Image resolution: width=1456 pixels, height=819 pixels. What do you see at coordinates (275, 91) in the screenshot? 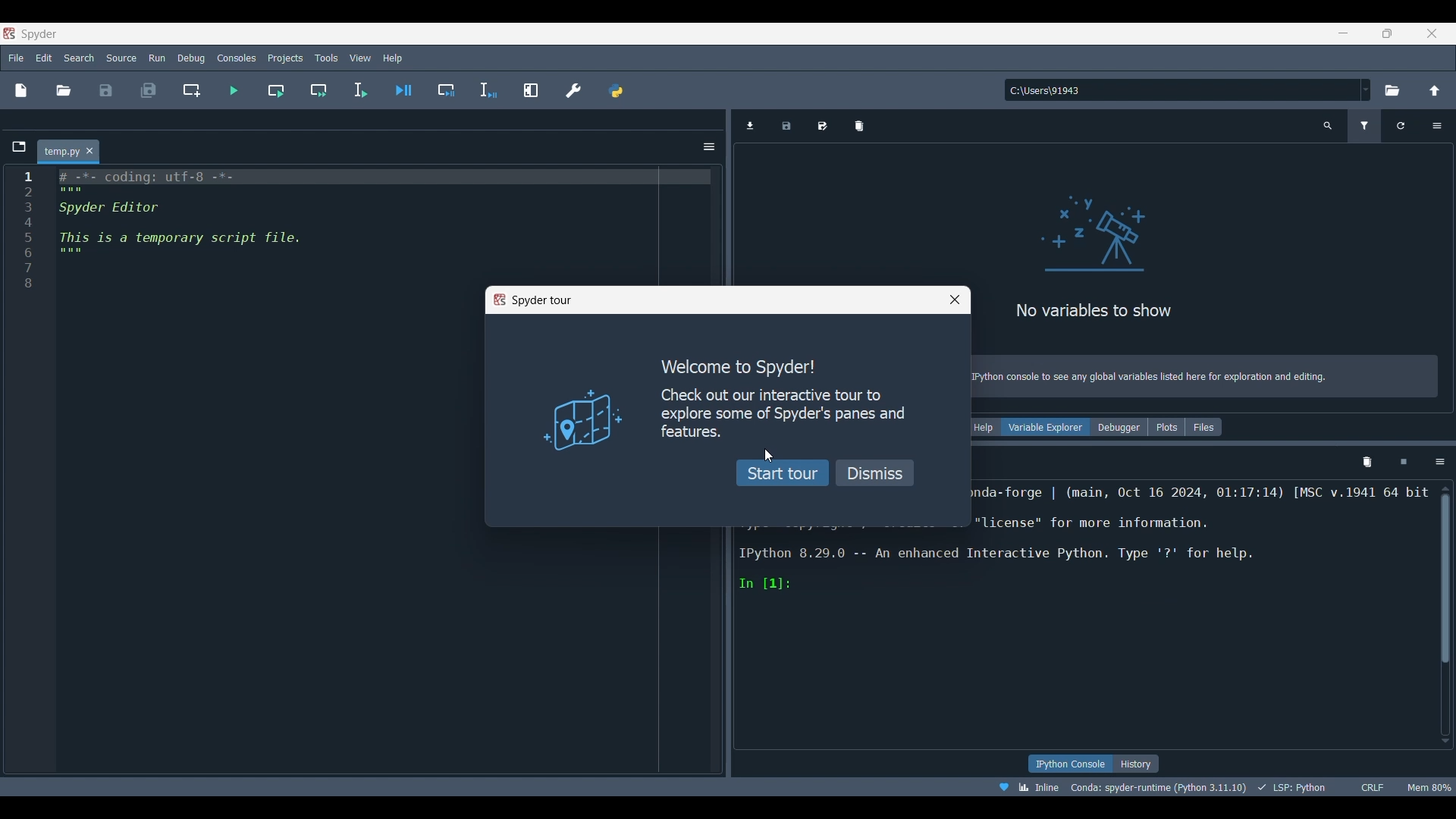
I see `Run current cell` at bounding box center [275, 91].